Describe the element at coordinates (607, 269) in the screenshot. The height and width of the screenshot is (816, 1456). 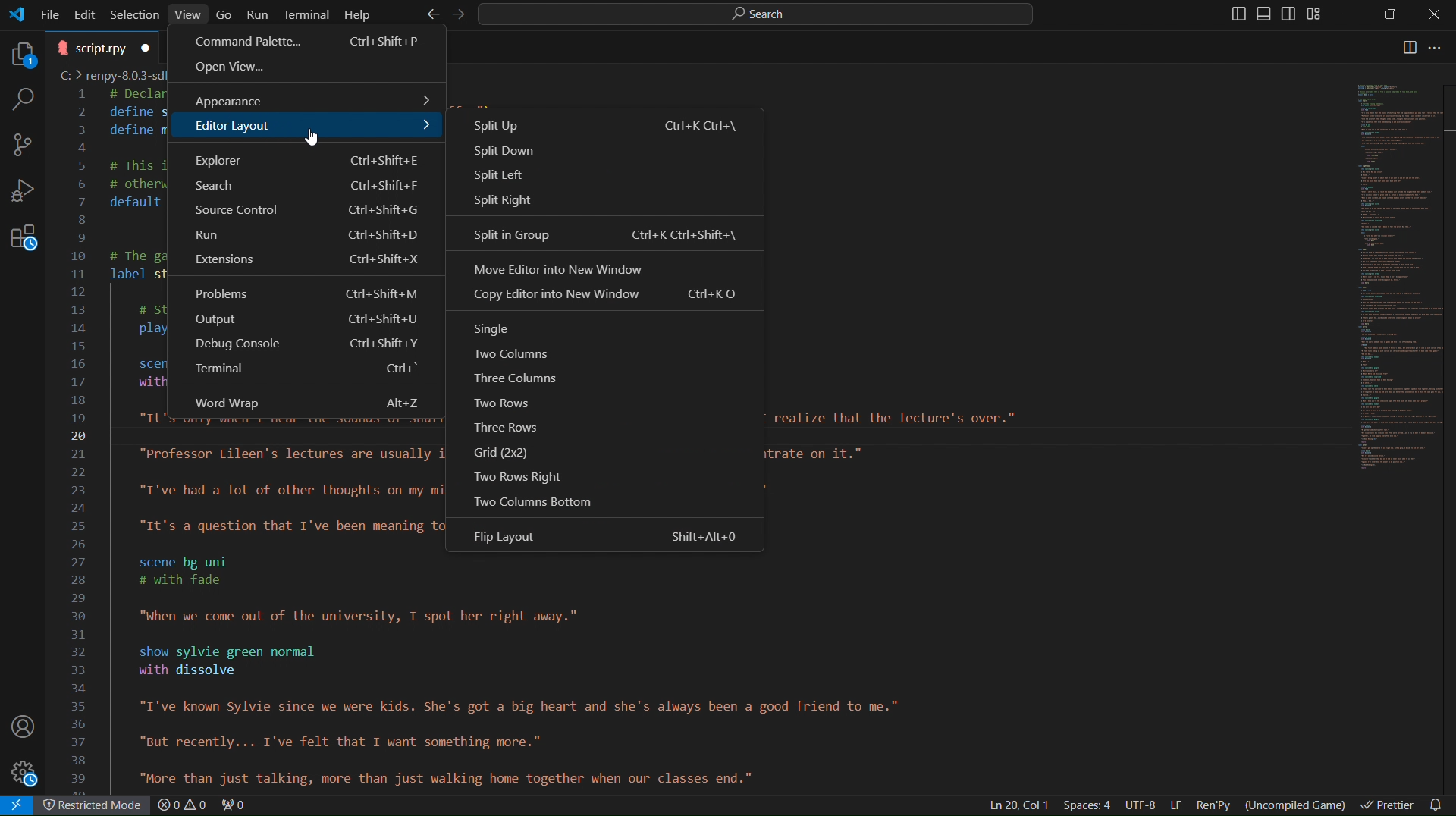
I see `Move Editor into New Window` at that location.